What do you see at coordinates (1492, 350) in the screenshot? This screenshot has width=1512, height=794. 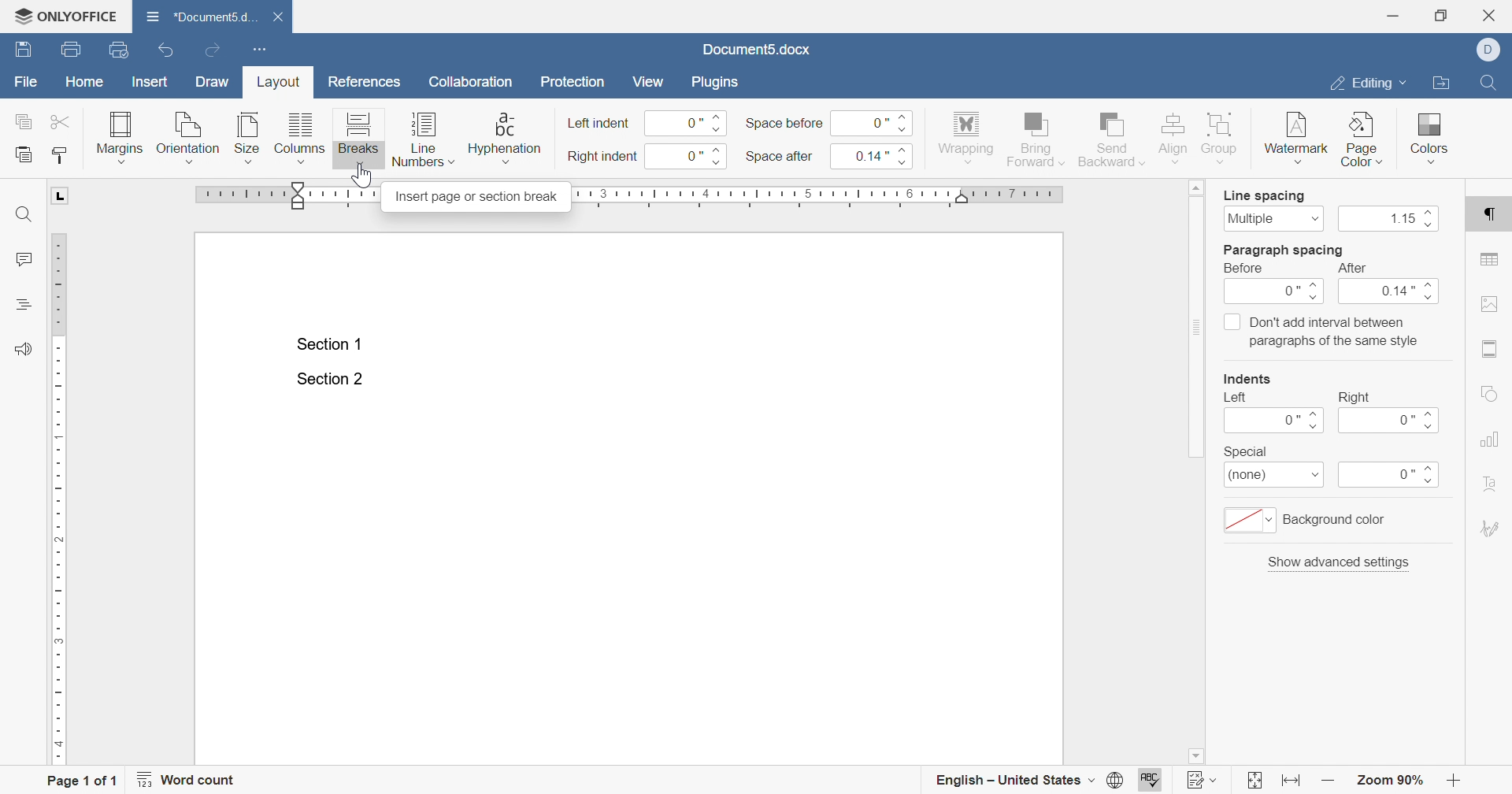 I see `header & footer settings` at bounding box center [1492, 350].